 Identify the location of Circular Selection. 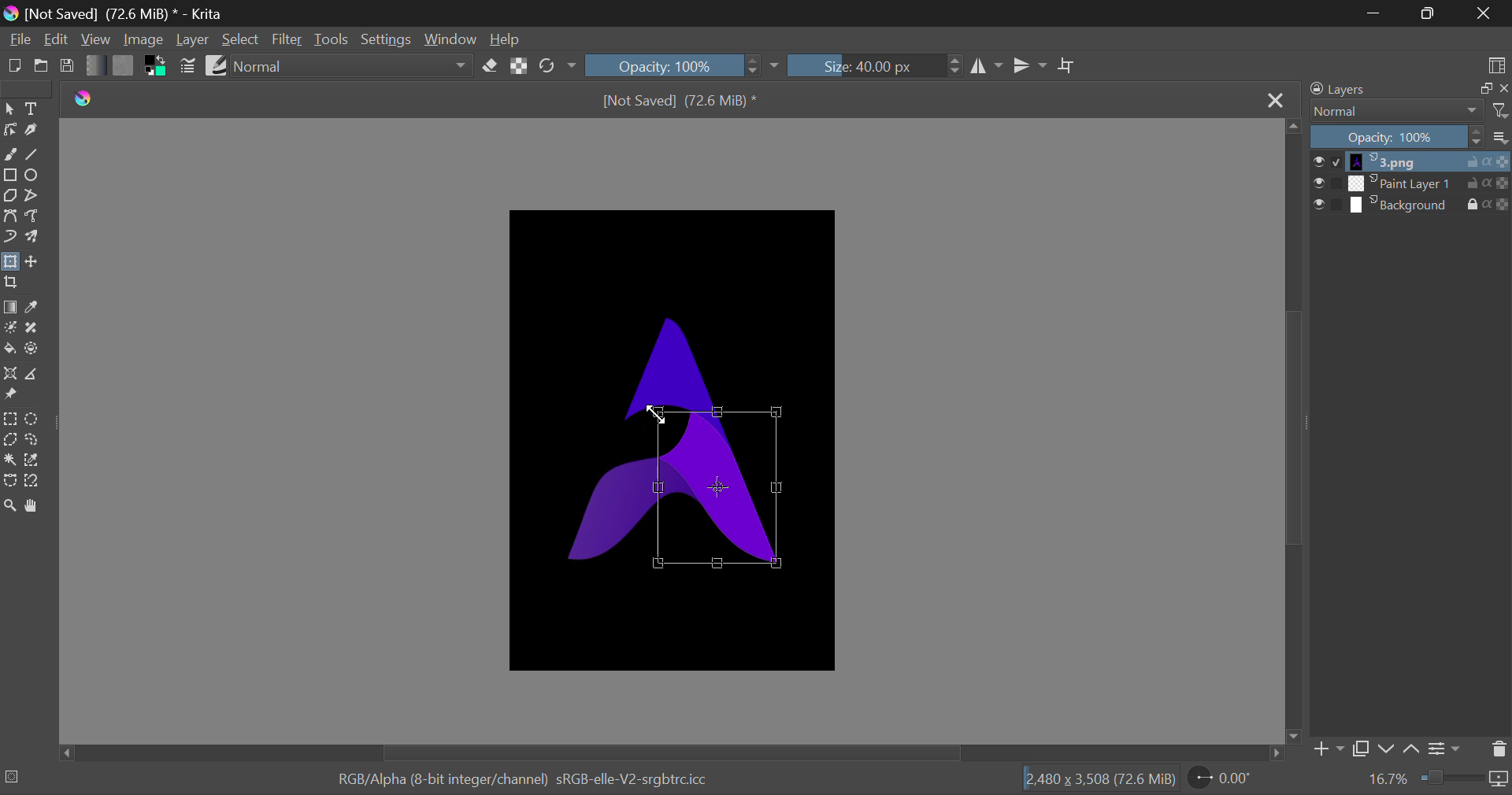
(33, 420).